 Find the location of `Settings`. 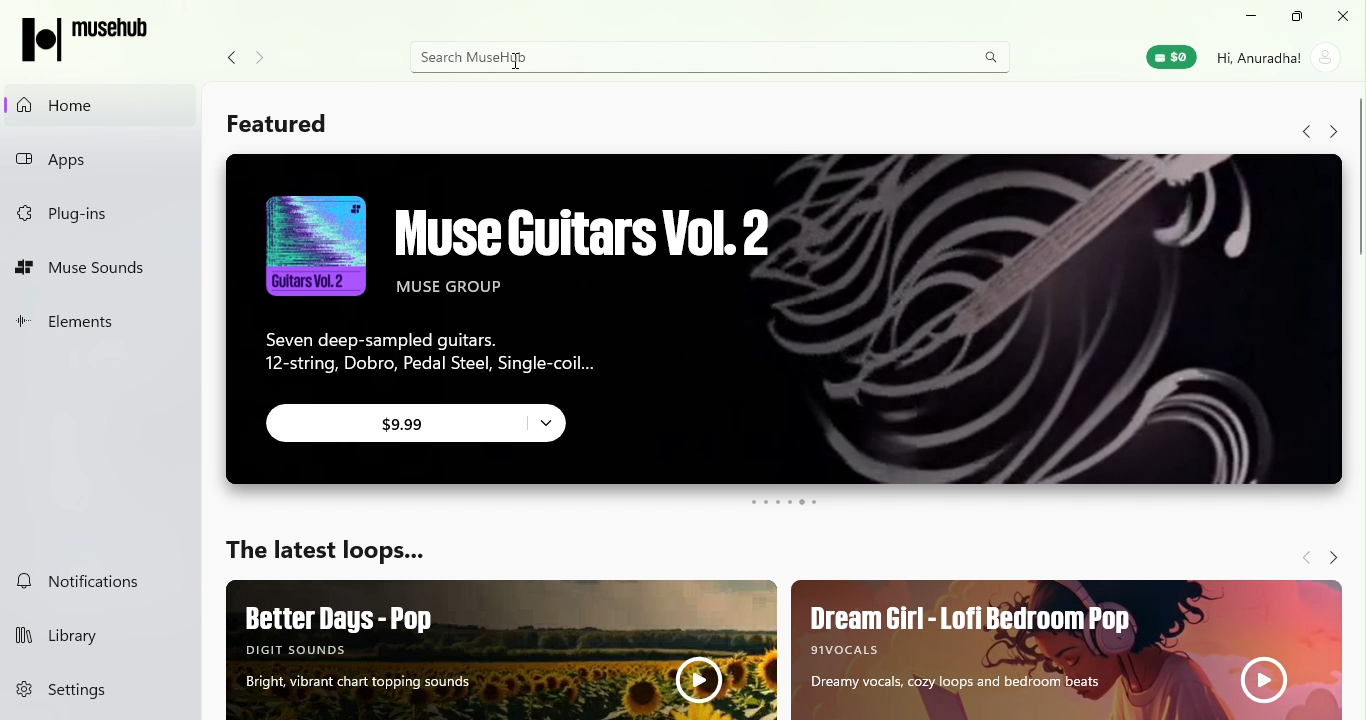

Settings is located at coordinates (102, 690).